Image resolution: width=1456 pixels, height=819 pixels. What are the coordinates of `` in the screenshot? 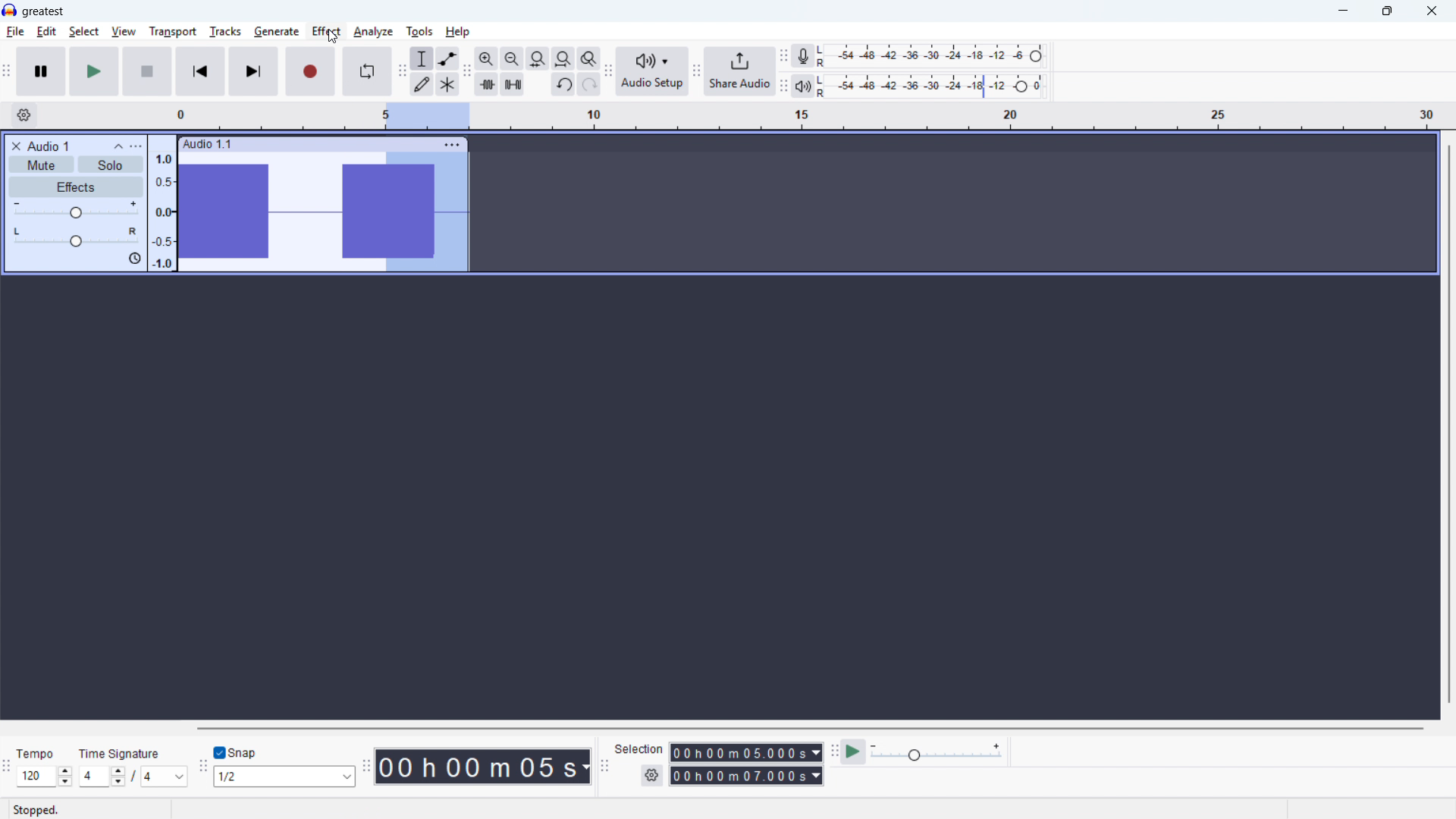 It's located at (325, 727).